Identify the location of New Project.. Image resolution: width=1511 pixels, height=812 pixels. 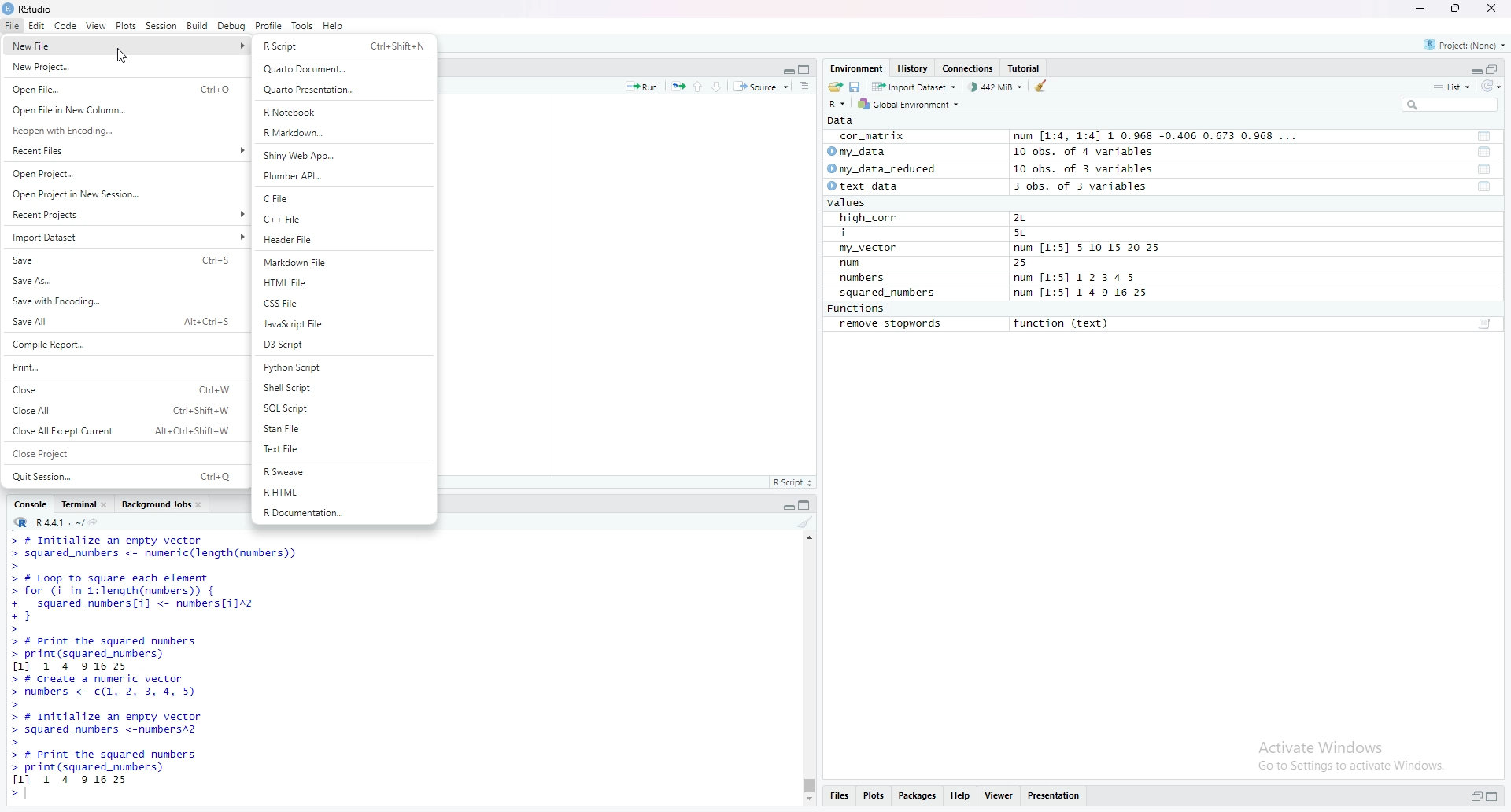
(106, 68).